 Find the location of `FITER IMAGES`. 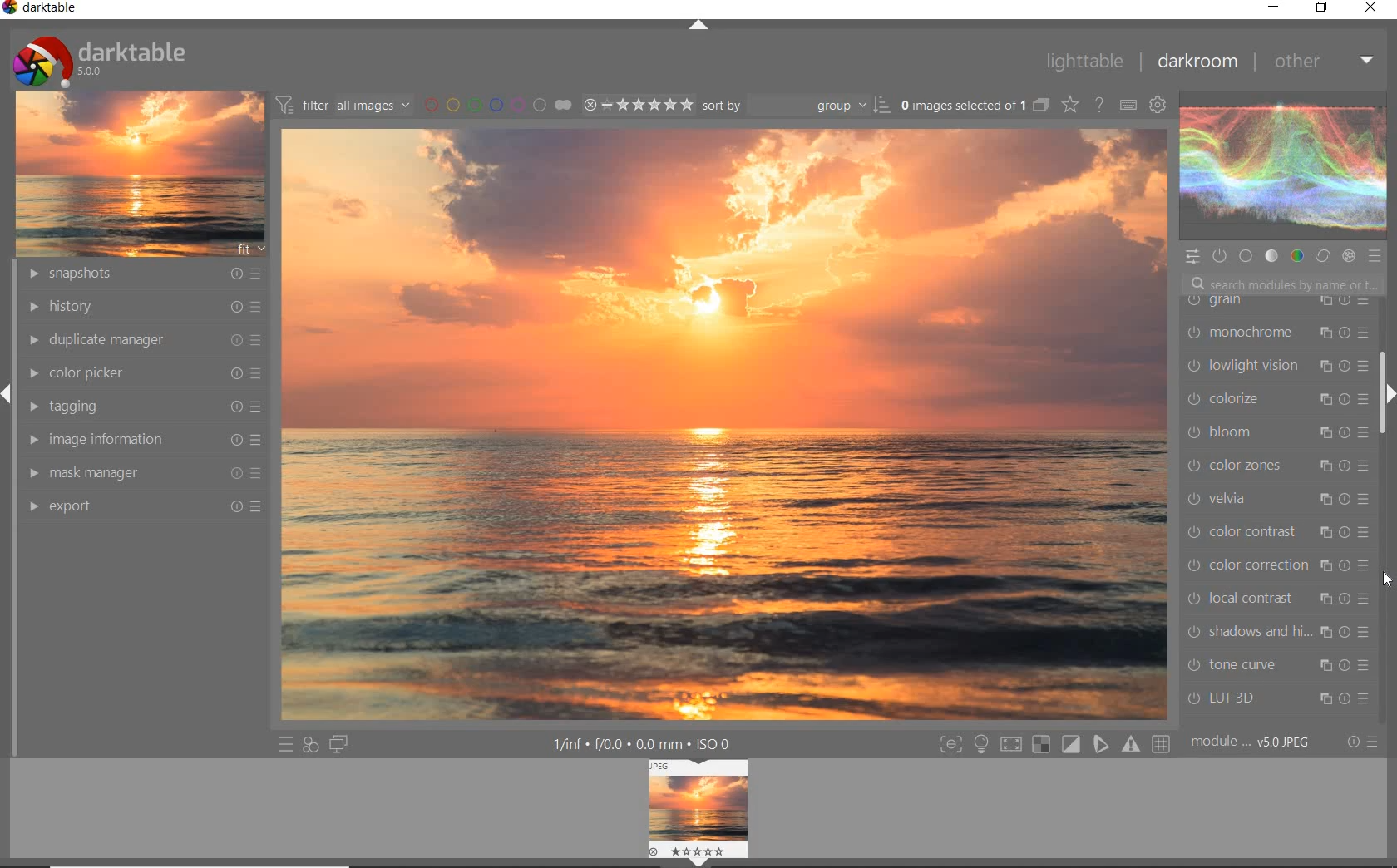

FITER IMAGES is located at coordinates (343, 104).